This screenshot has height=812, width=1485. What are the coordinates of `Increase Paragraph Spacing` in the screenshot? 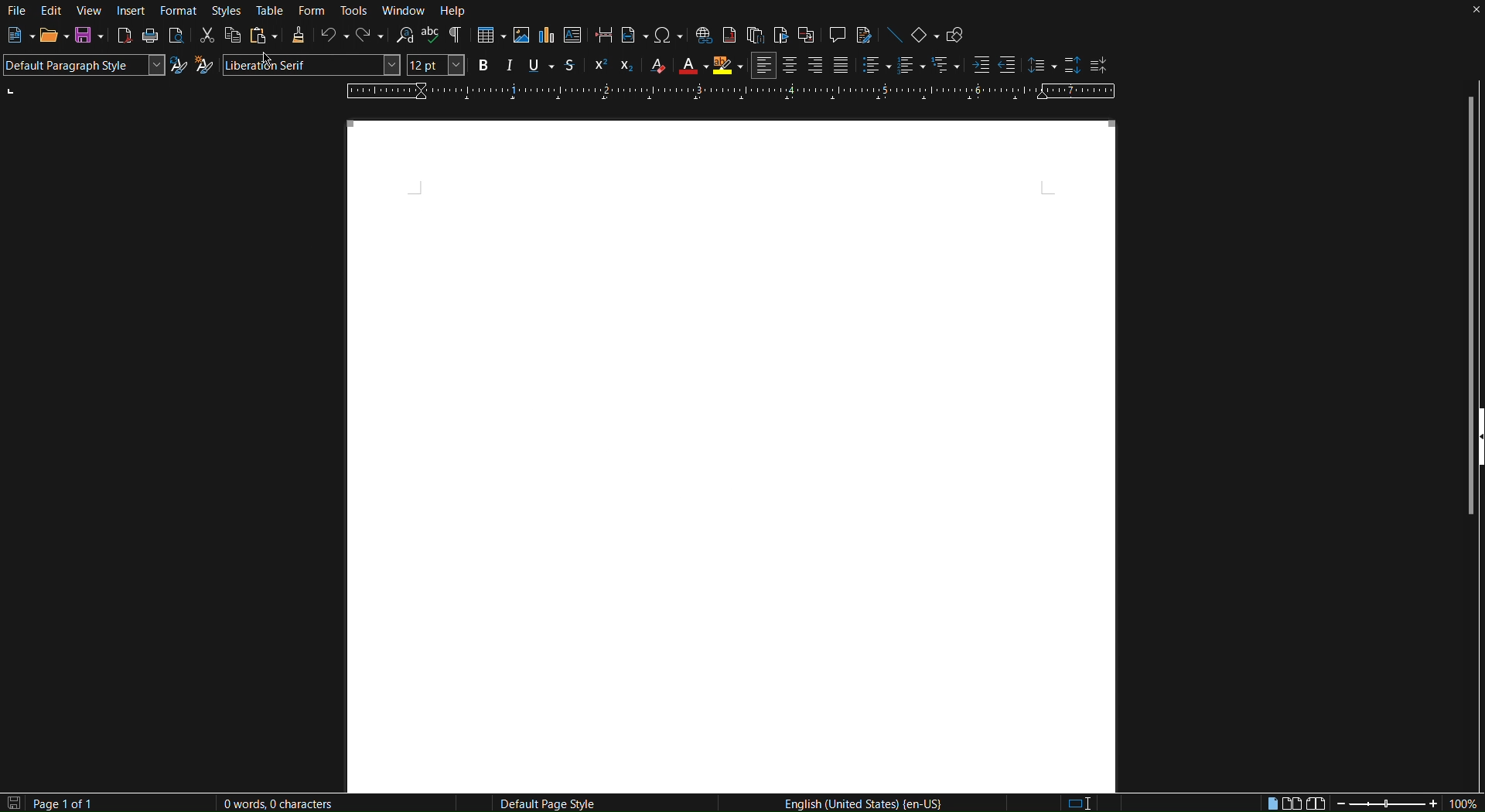 It's located at (1074, 67).